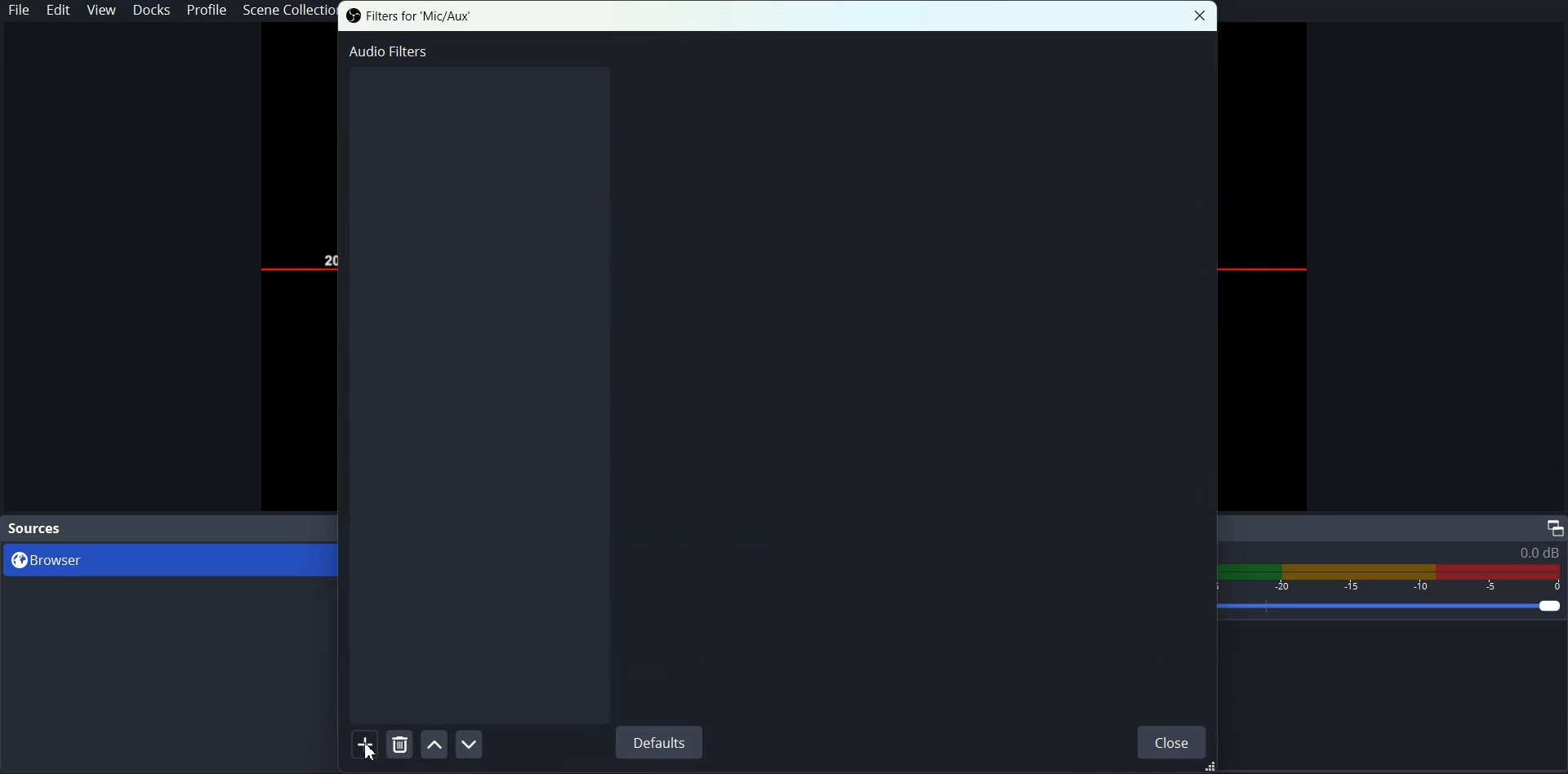 This screenshot has height=774, width=1568. What do you see at coordinates (19, 11) in the screenshot?
I see `File` at bounding box center [19, 11].